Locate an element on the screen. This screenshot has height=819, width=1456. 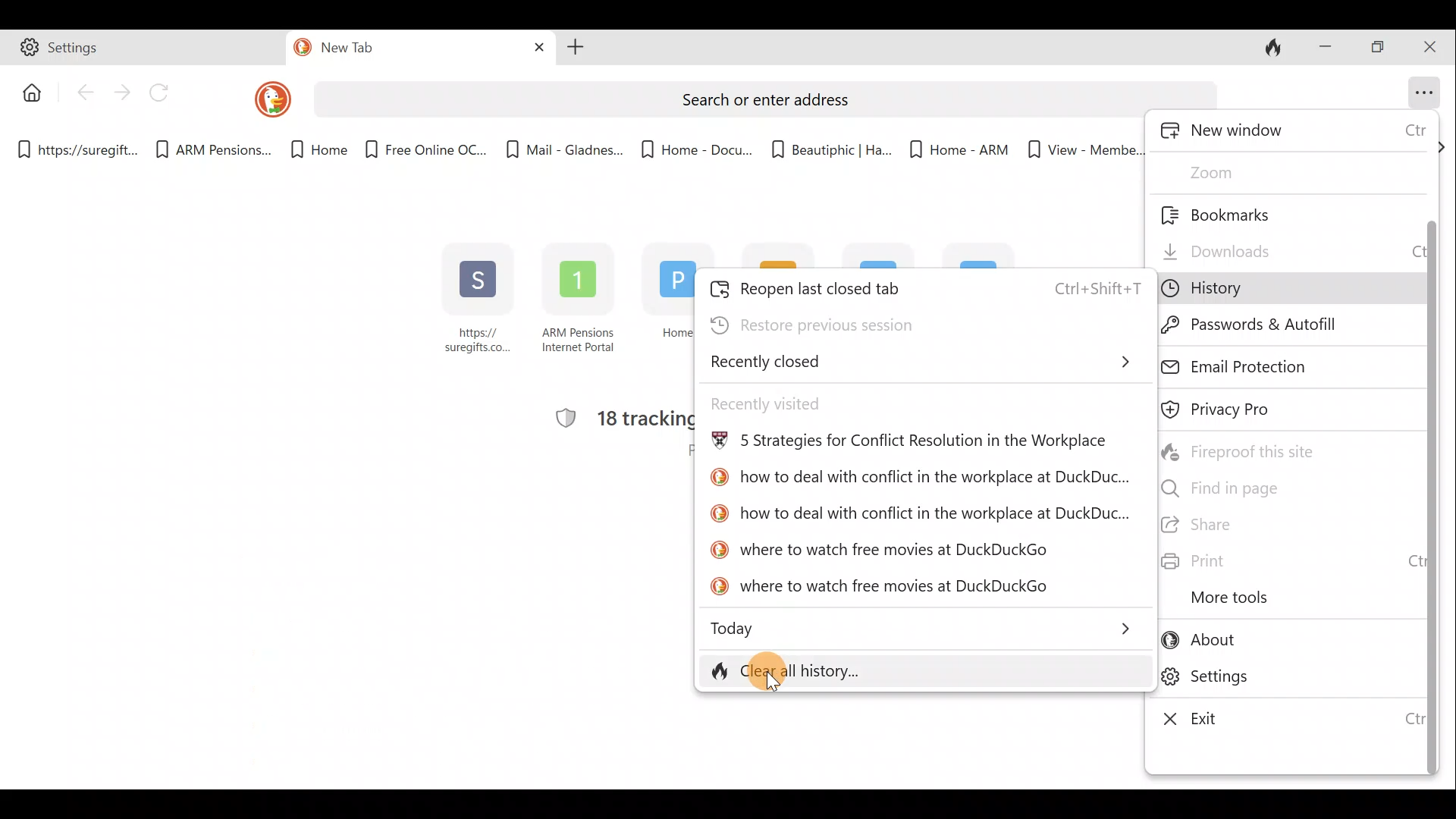
New window is located at coordinates (1294, 133).